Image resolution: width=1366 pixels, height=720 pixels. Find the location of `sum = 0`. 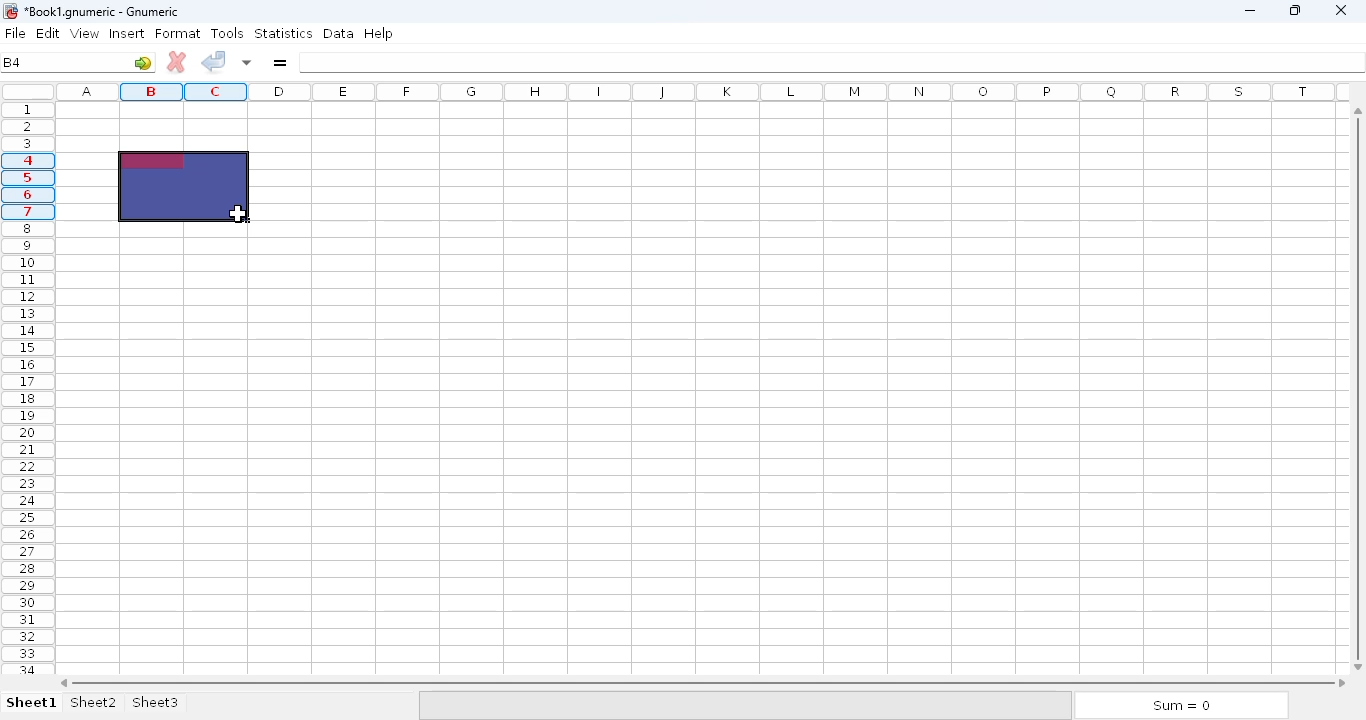

sum = 0 is located at coordinates (1179, 706).